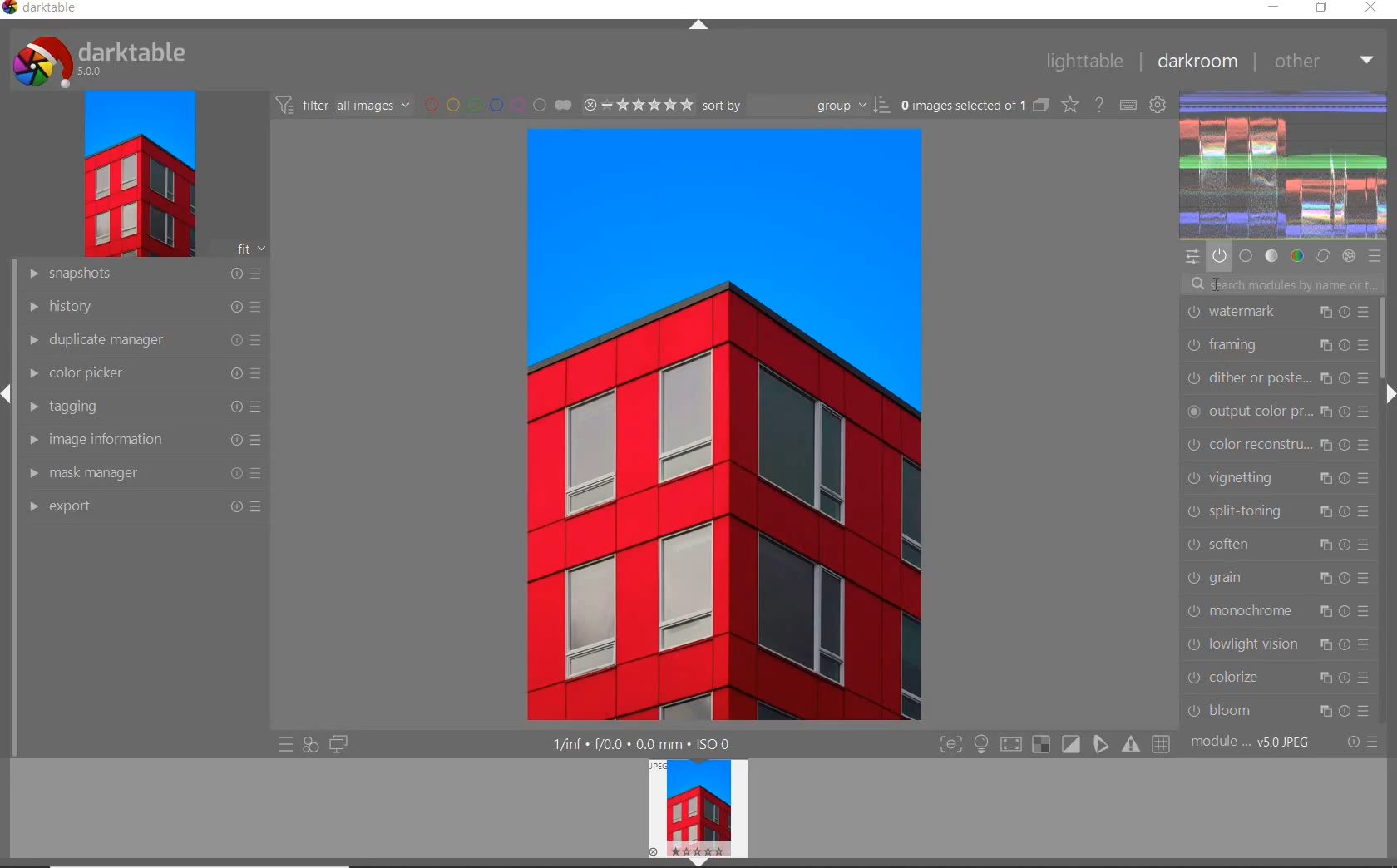 The image size is (1397, 868). I want to click on correct, so click(1323, 257).